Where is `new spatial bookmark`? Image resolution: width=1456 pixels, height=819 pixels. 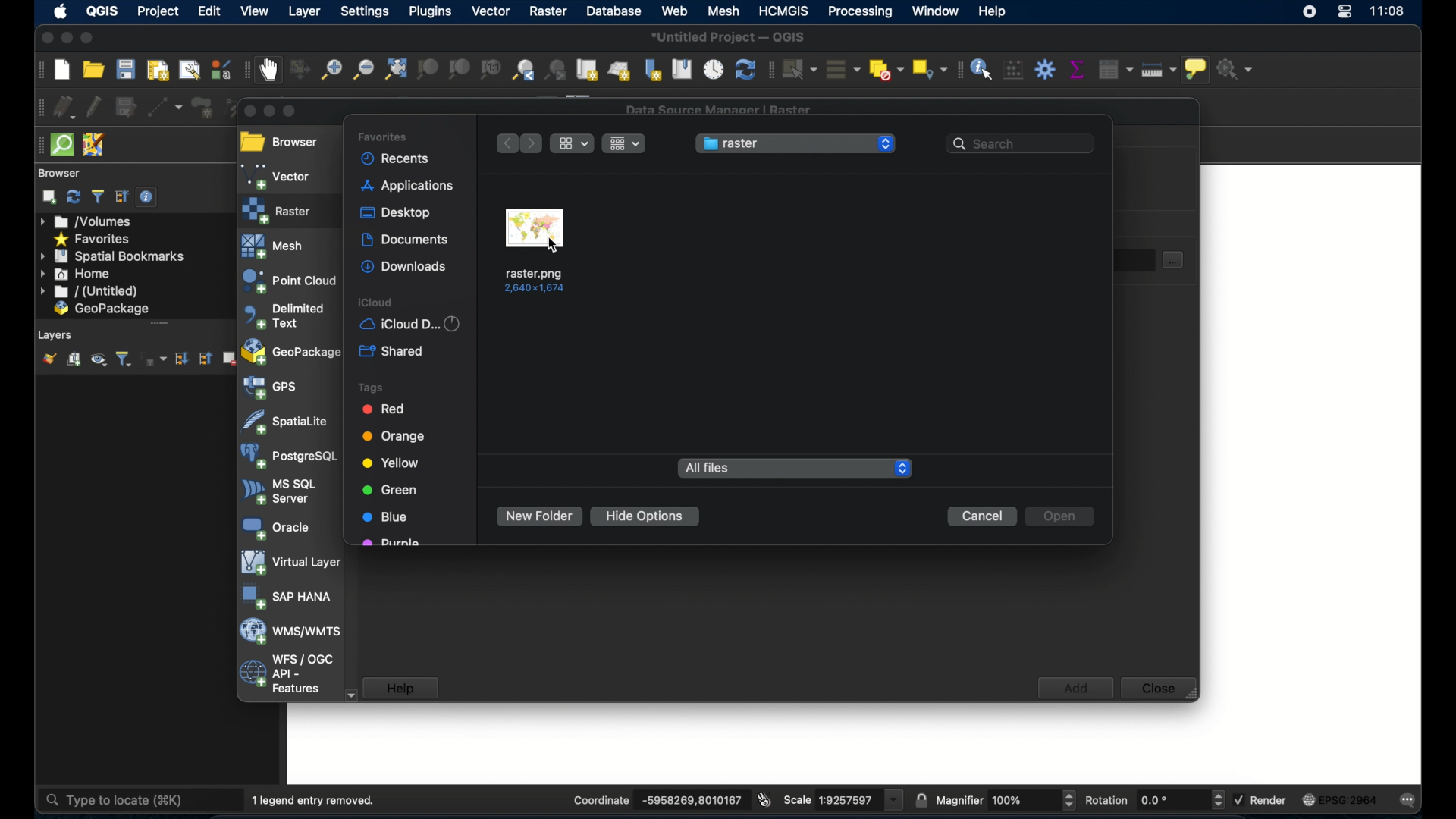 new spatial bookmark is located at coordinates (654, 69).